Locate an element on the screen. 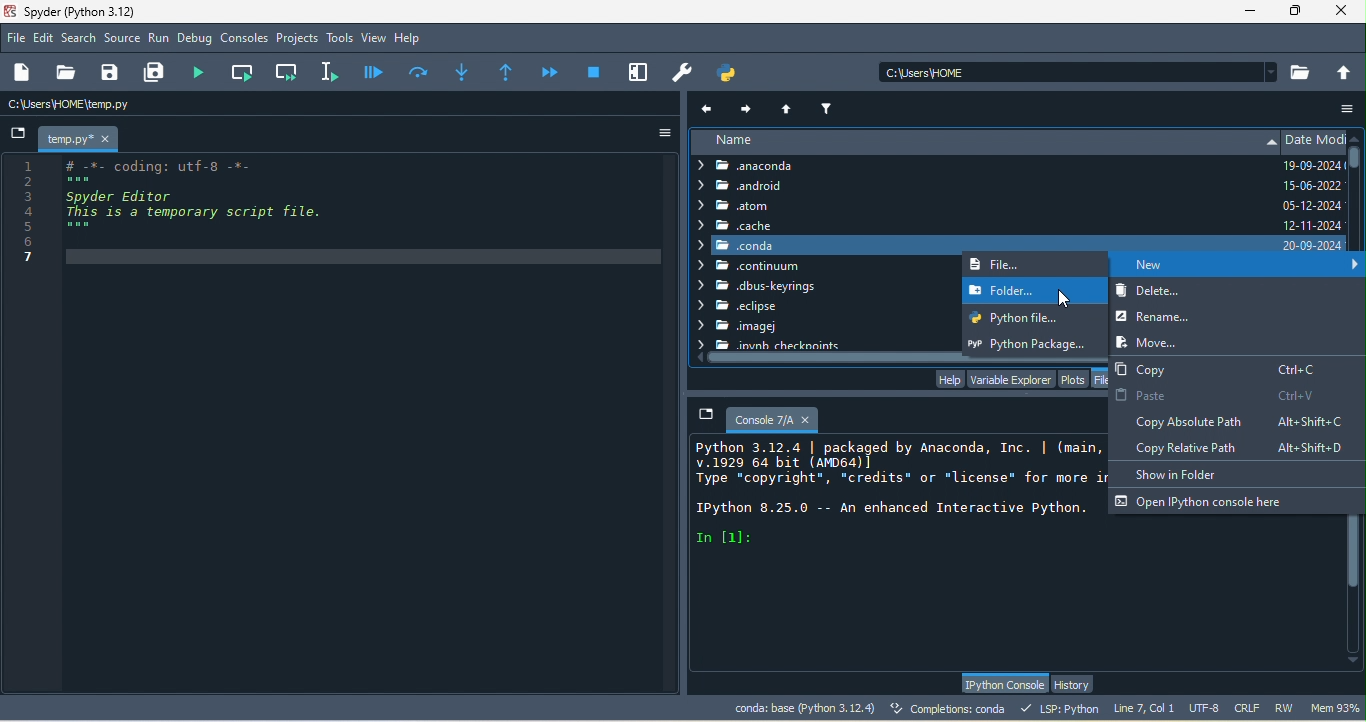 This screenshot has width=1366, height=722. cursor movement is located at coordinates (1061, 300).